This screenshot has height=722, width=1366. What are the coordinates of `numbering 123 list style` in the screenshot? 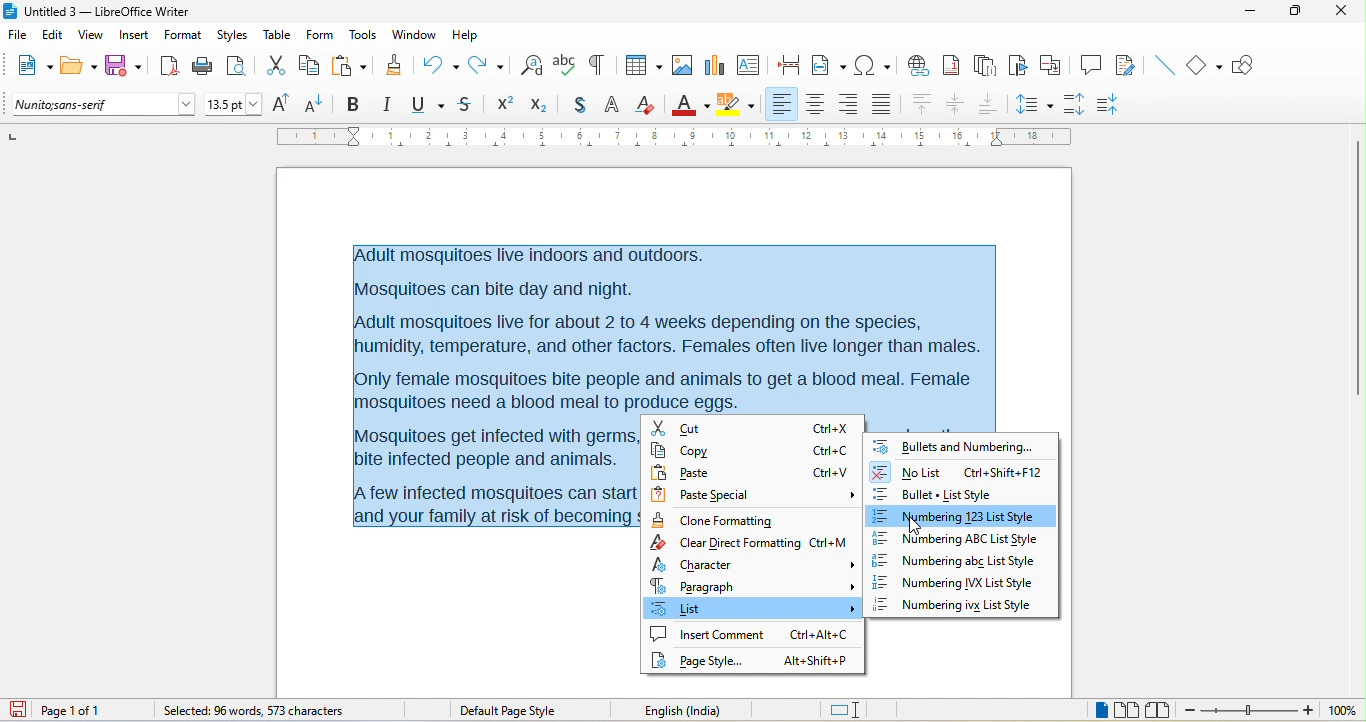 It's located at (961, 515).